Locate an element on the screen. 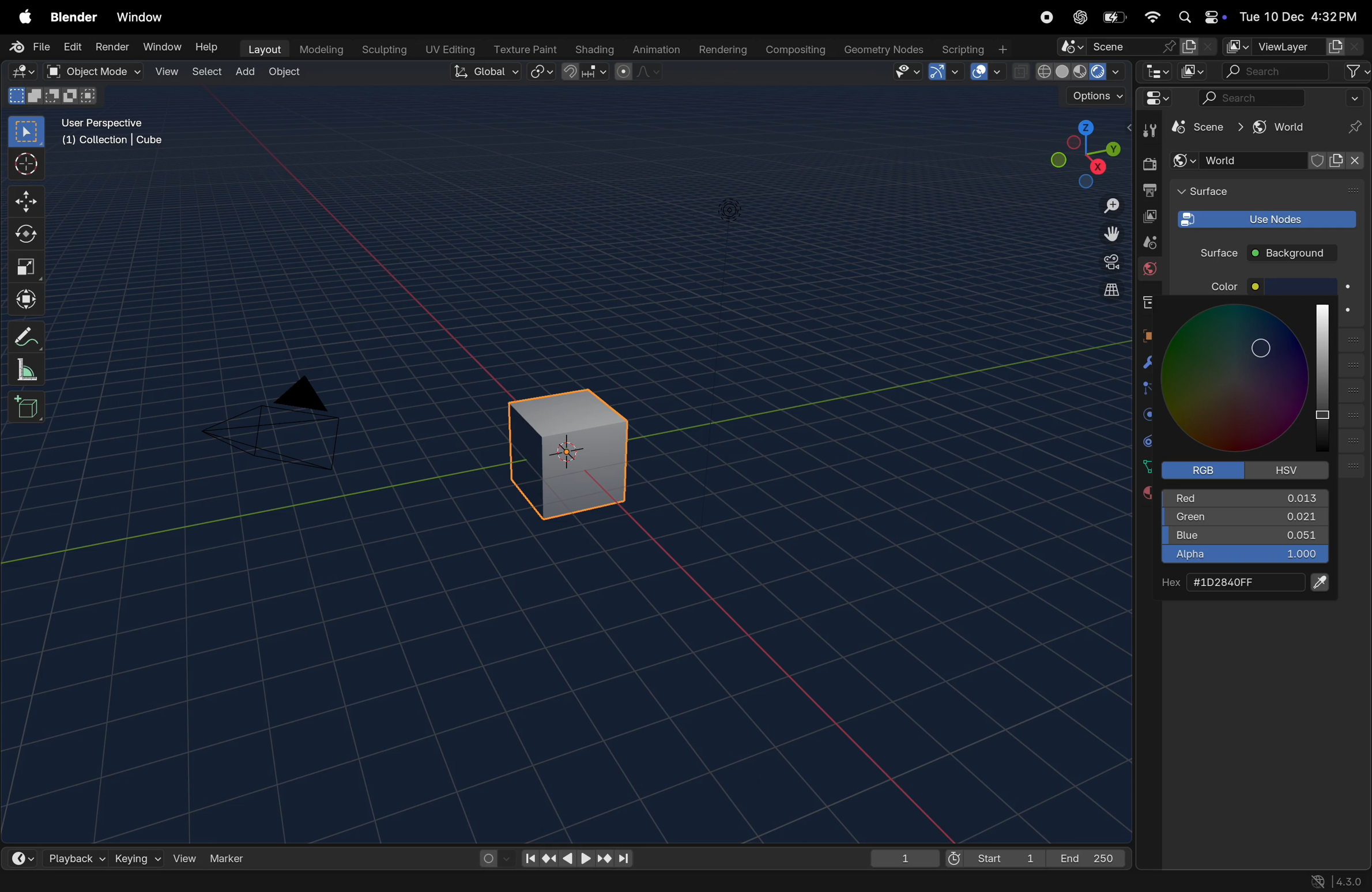 The height and width of the screenshot is (892, 1372). color code is located at coordinates (1243, 583).